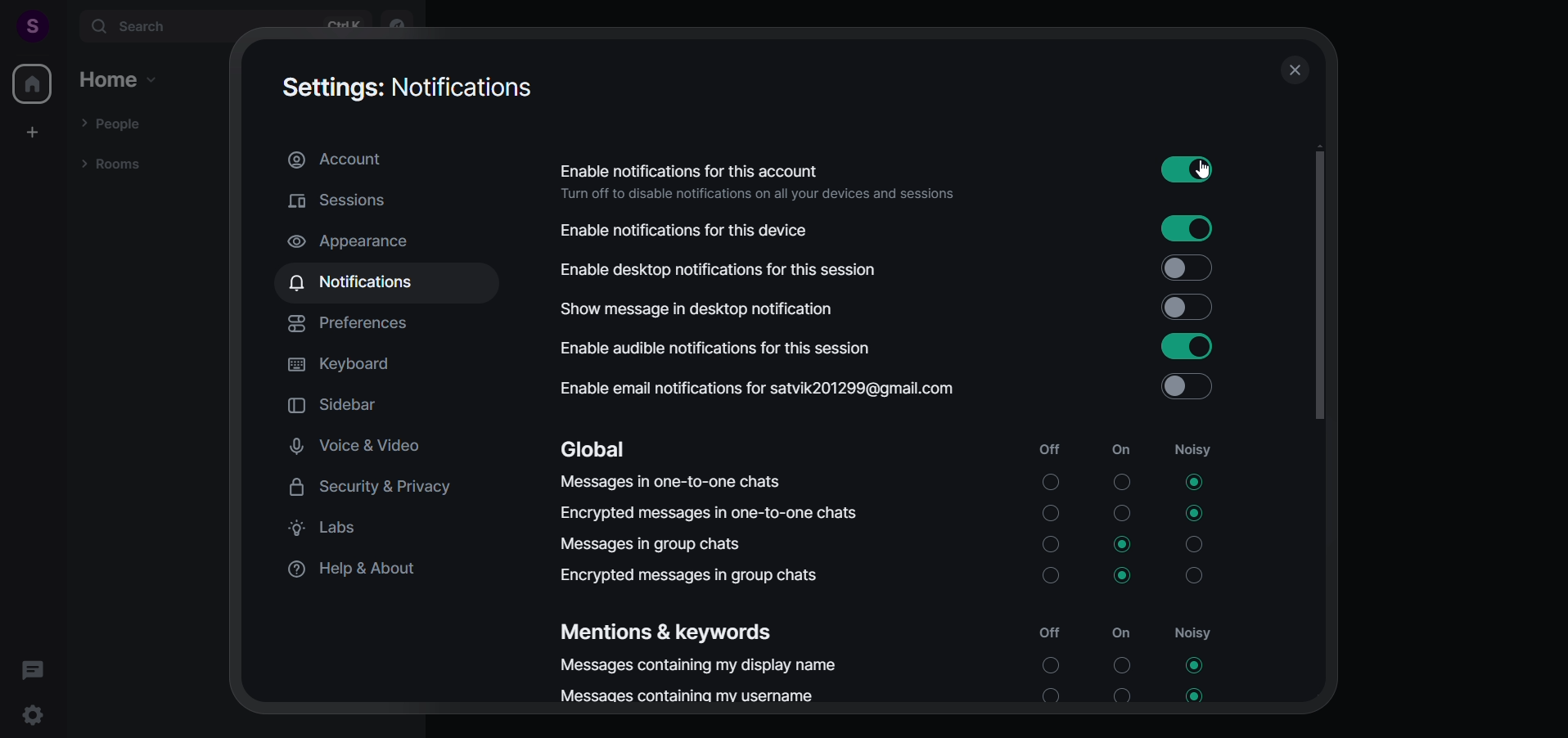 The height and width of the screenshot is (738, 1568). I want to click on labs, so click(333, 530).